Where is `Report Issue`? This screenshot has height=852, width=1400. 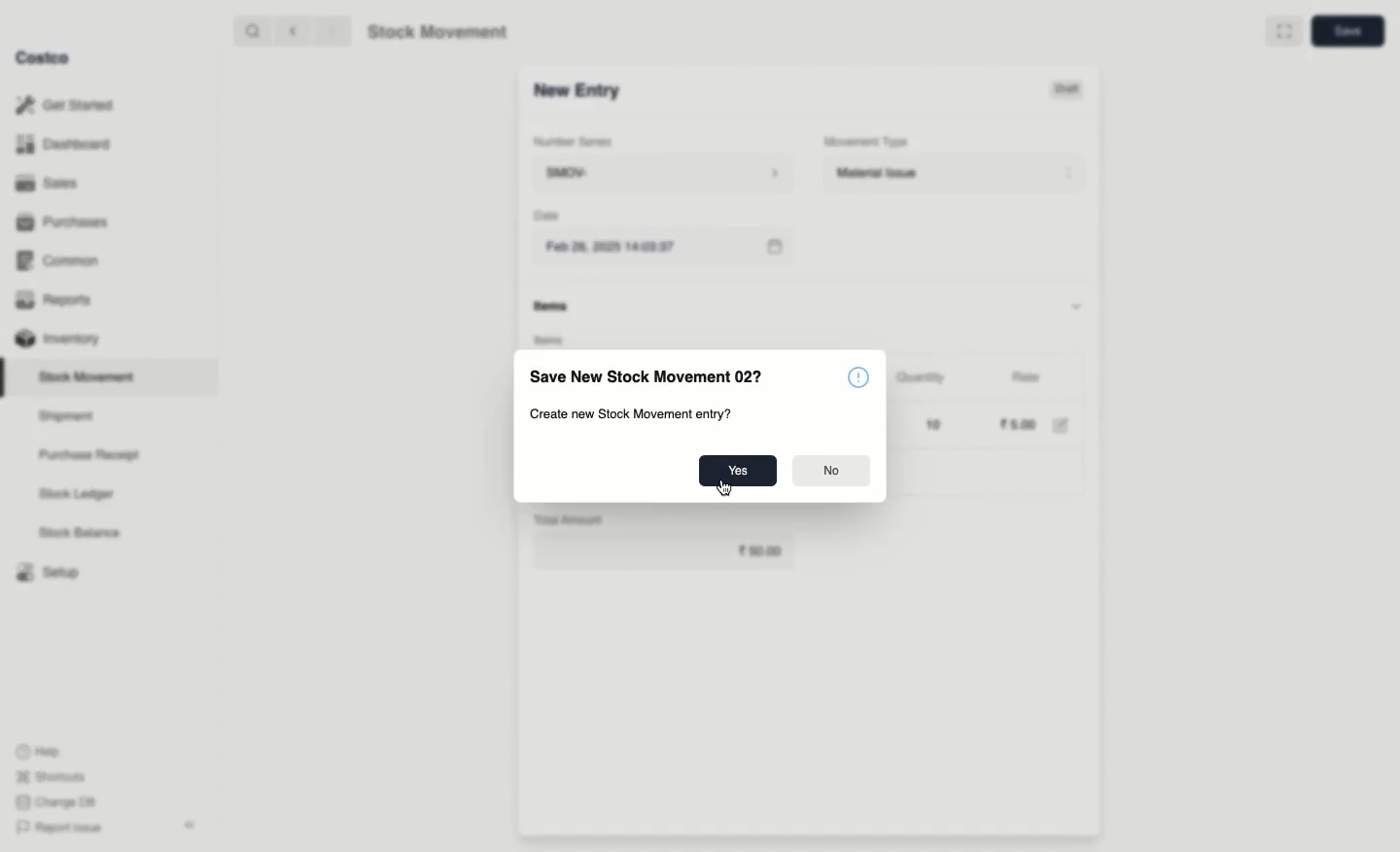
Report Issue is located at coordinates (61, 828).